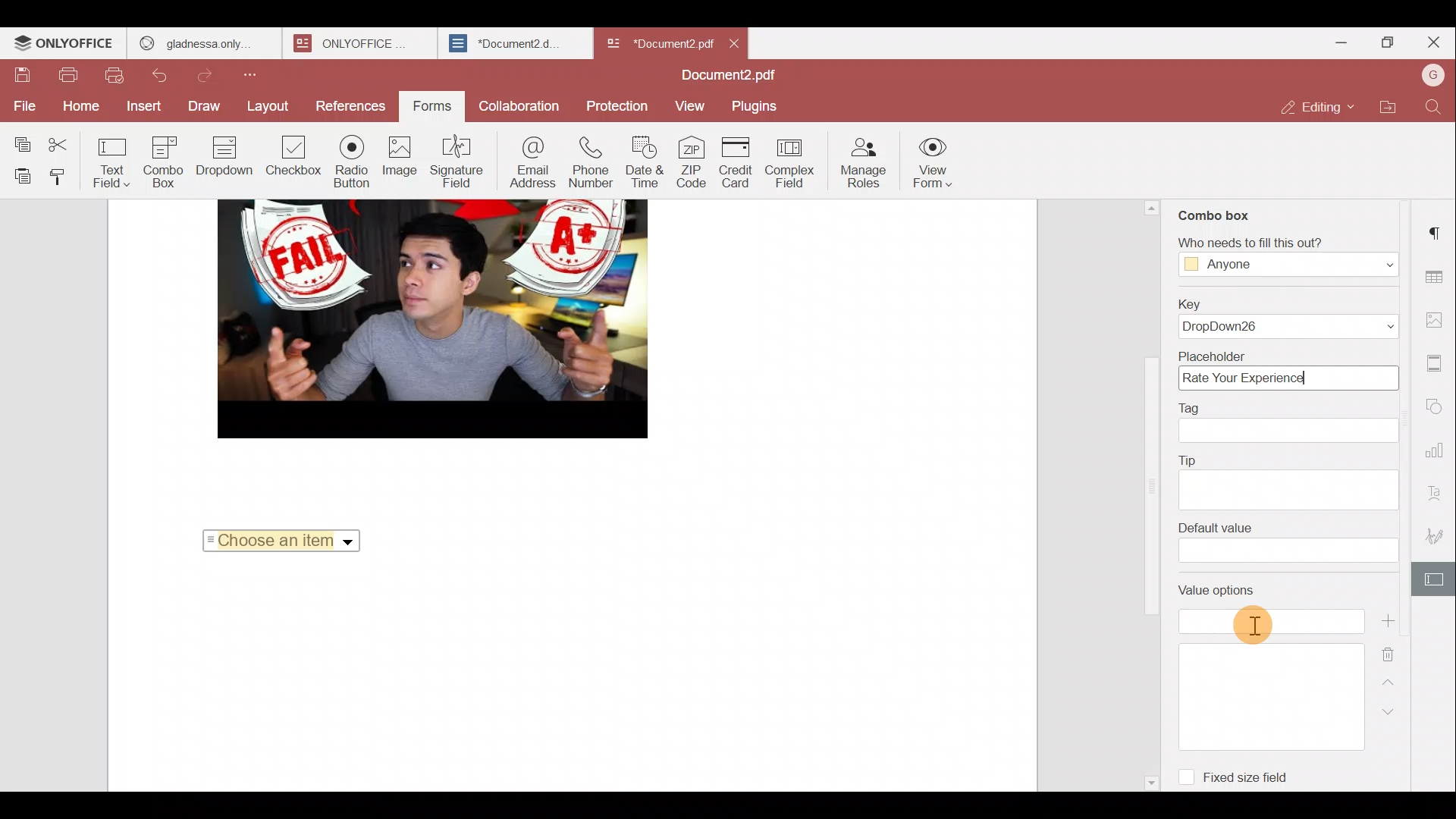  What do you see at coordinates (70, 142) in the screenshot?
I see `Cut` at bounding box center [70, 142].